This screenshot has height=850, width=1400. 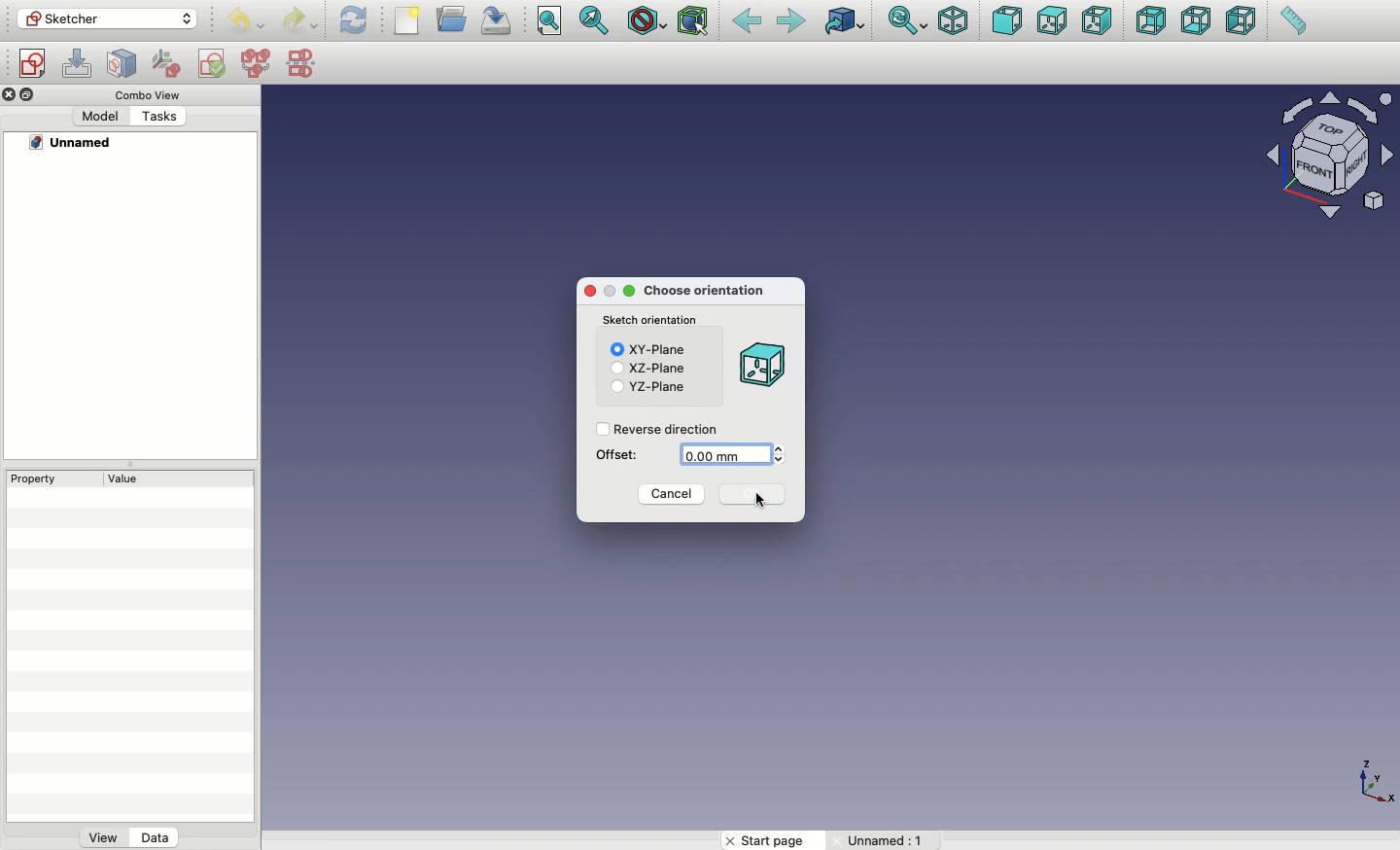 I want to click on Redo, so click(x=301, y=20).